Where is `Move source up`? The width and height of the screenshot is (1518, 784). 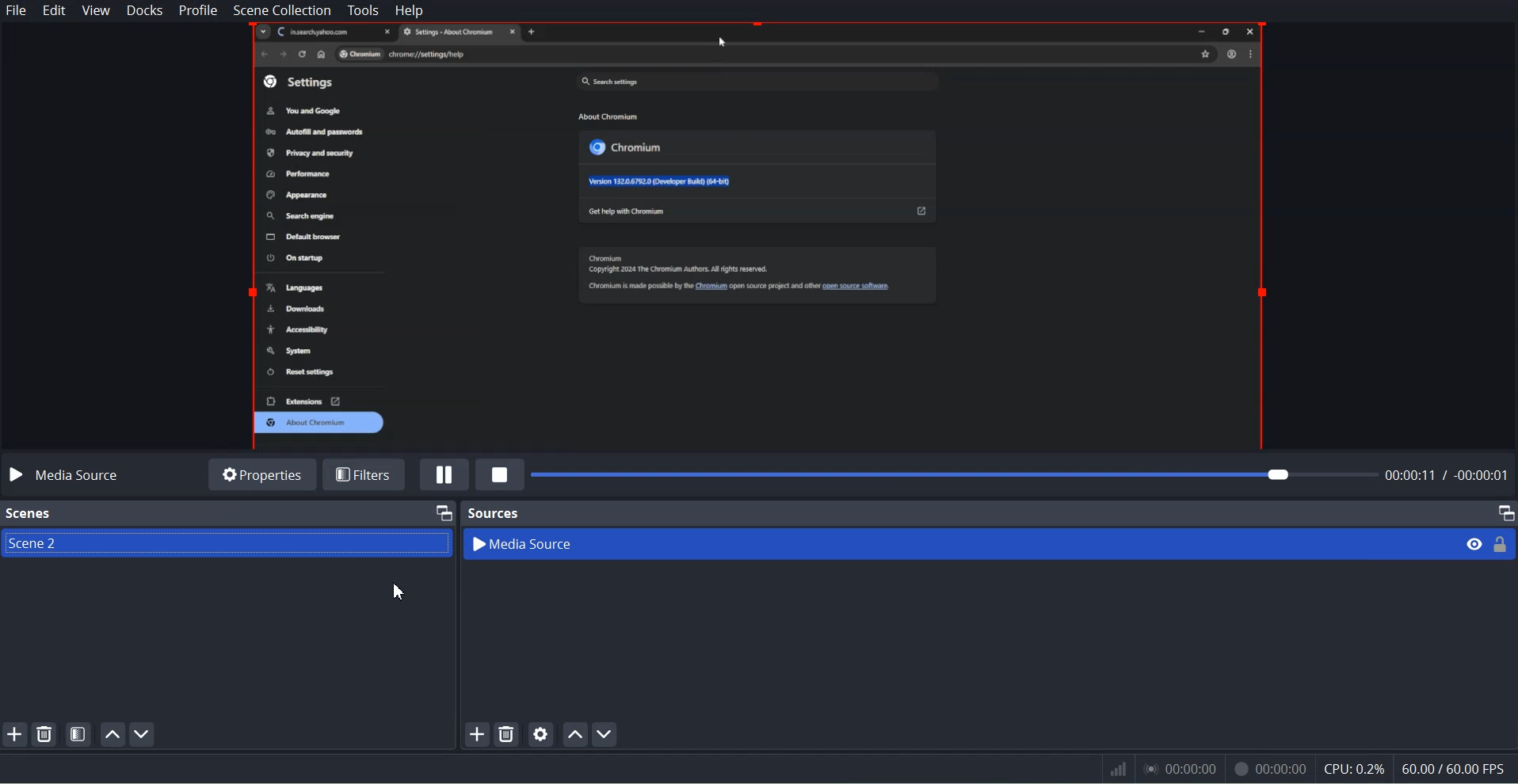 Move source up is located at coordinates (575, 733).